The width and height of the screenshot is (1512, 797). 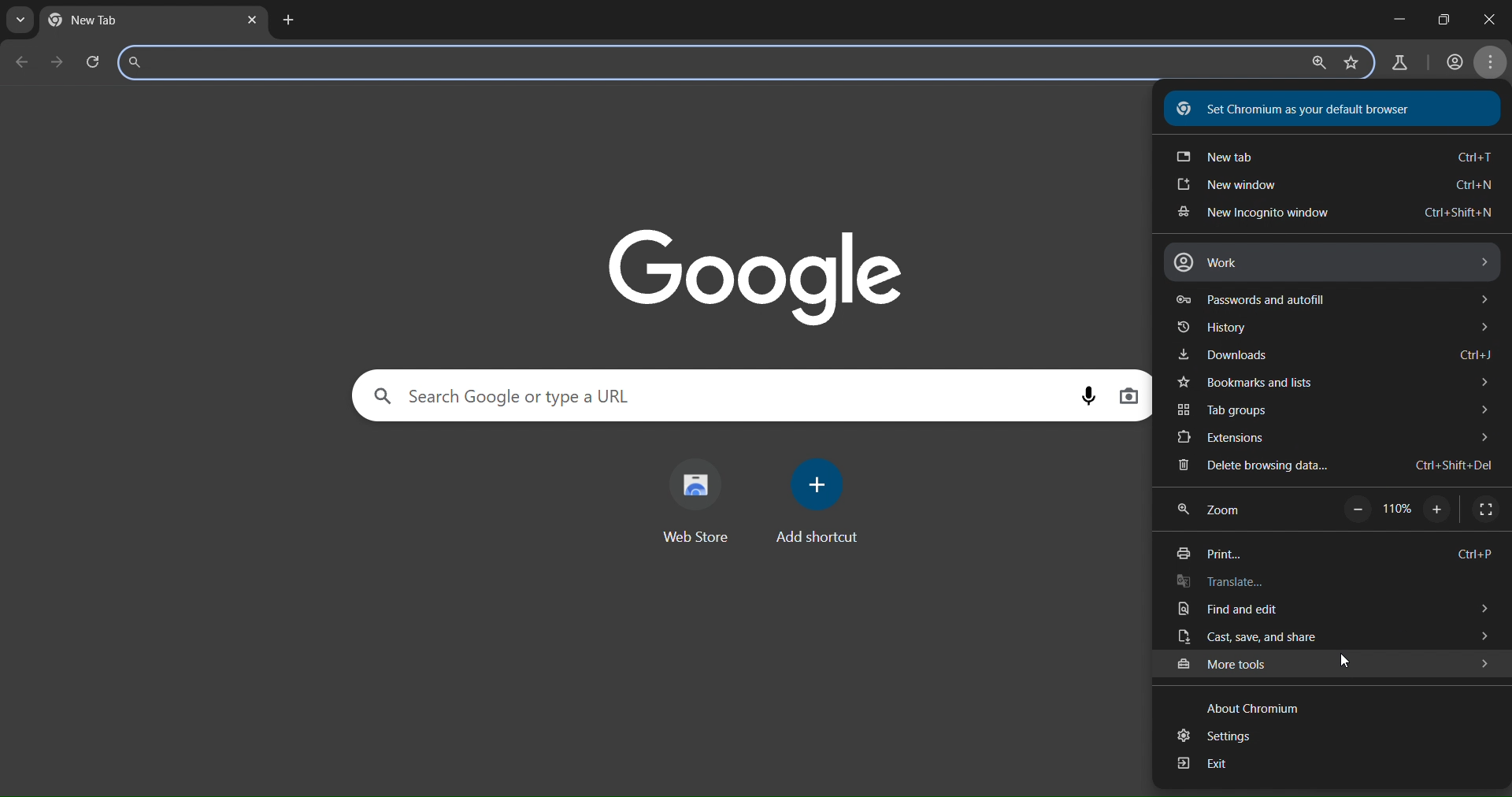 I want to click on settings, so click(x=1224, y=736).